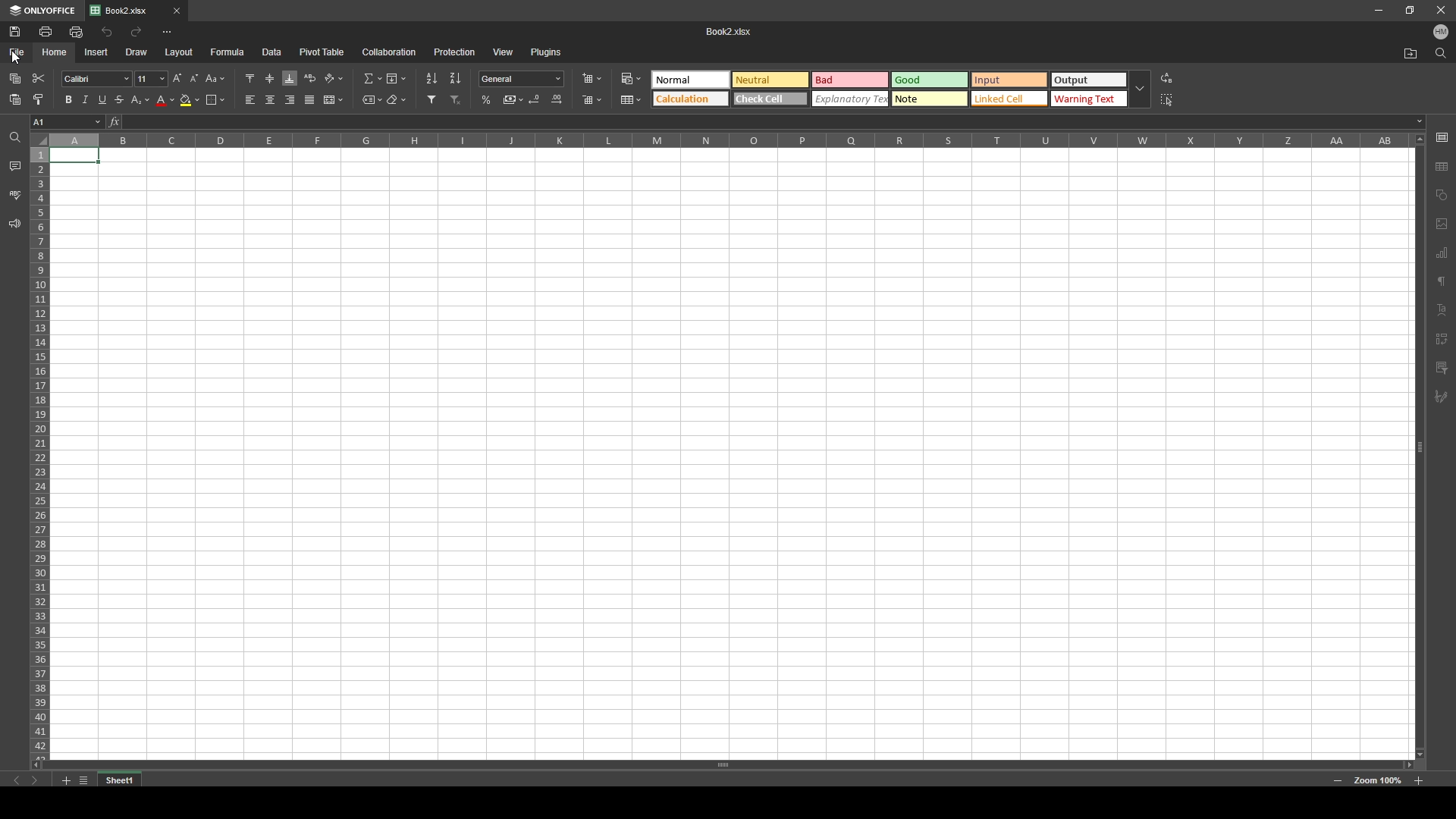  What do you see at coordinates (39, 79) in the screenshot?
I see `cut` at bounding box center [39, 79].